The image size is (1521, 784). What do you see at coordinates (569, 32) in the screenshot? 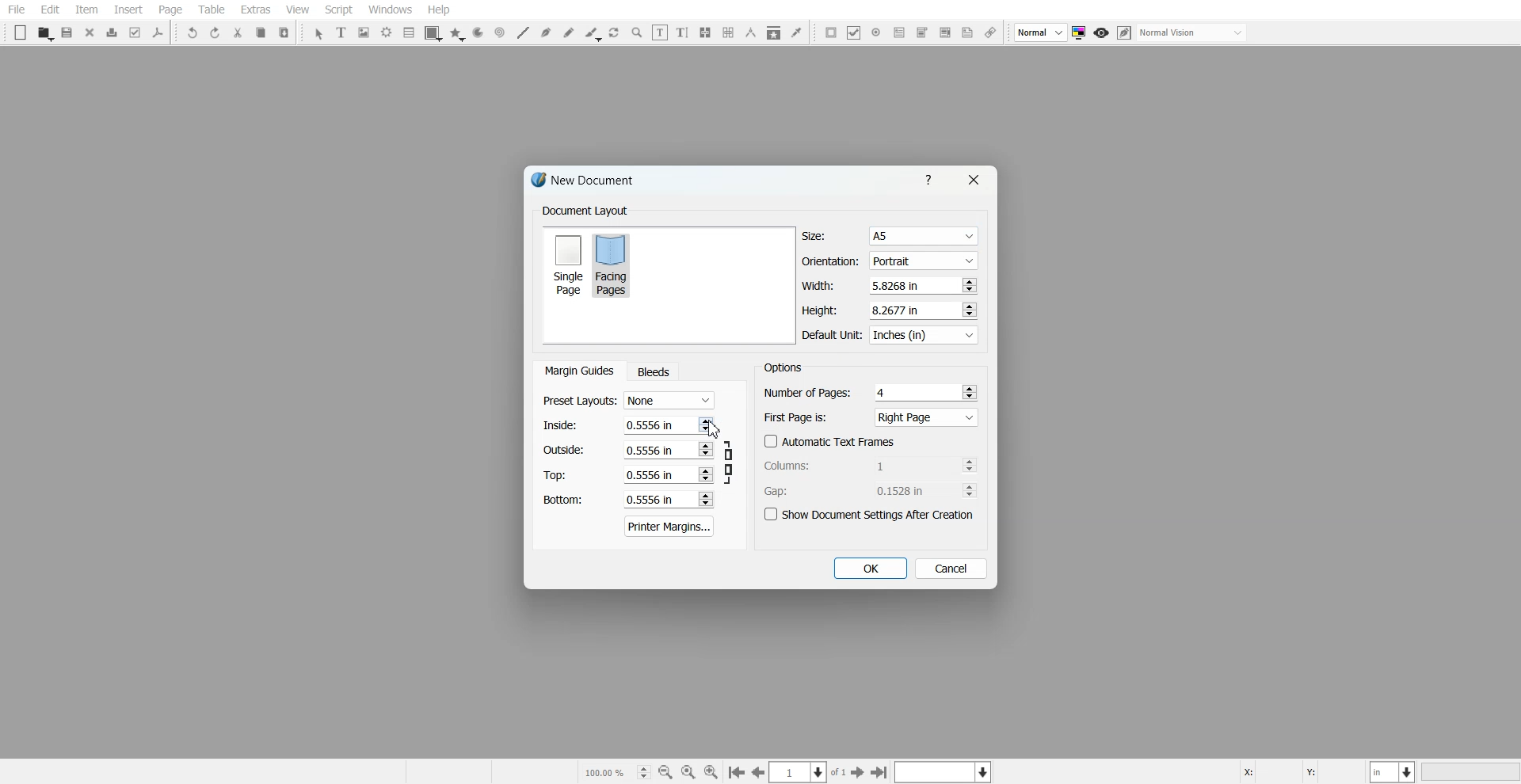
I see `Freehand line` at bounding box center [569, 32].